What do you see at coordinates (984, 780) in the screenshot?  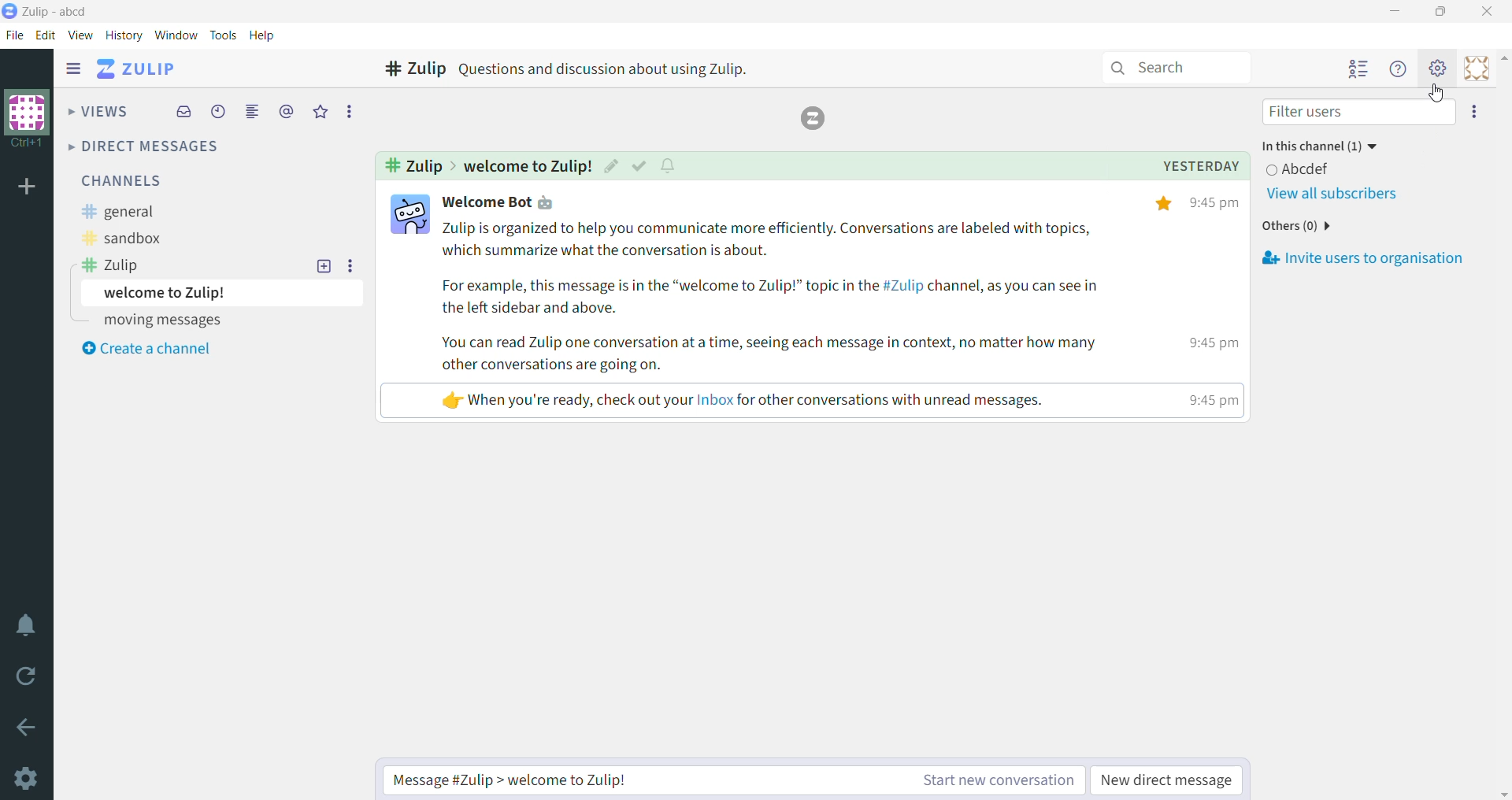 I see `Start new conversation` at bounding box center [984, 780].